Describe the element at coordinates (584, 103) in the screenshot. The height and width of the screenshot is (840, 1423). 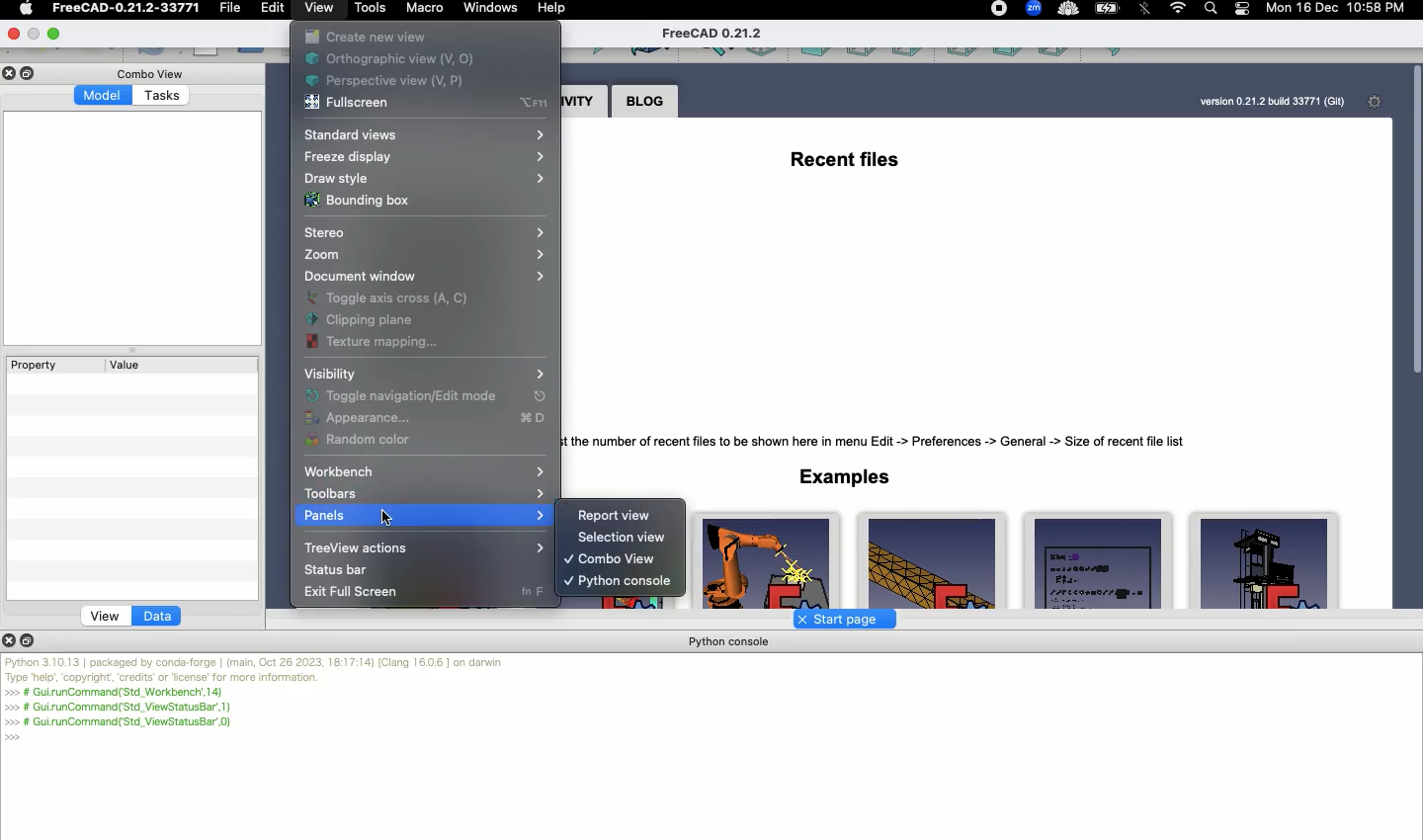
I see `Activity ` at that location.